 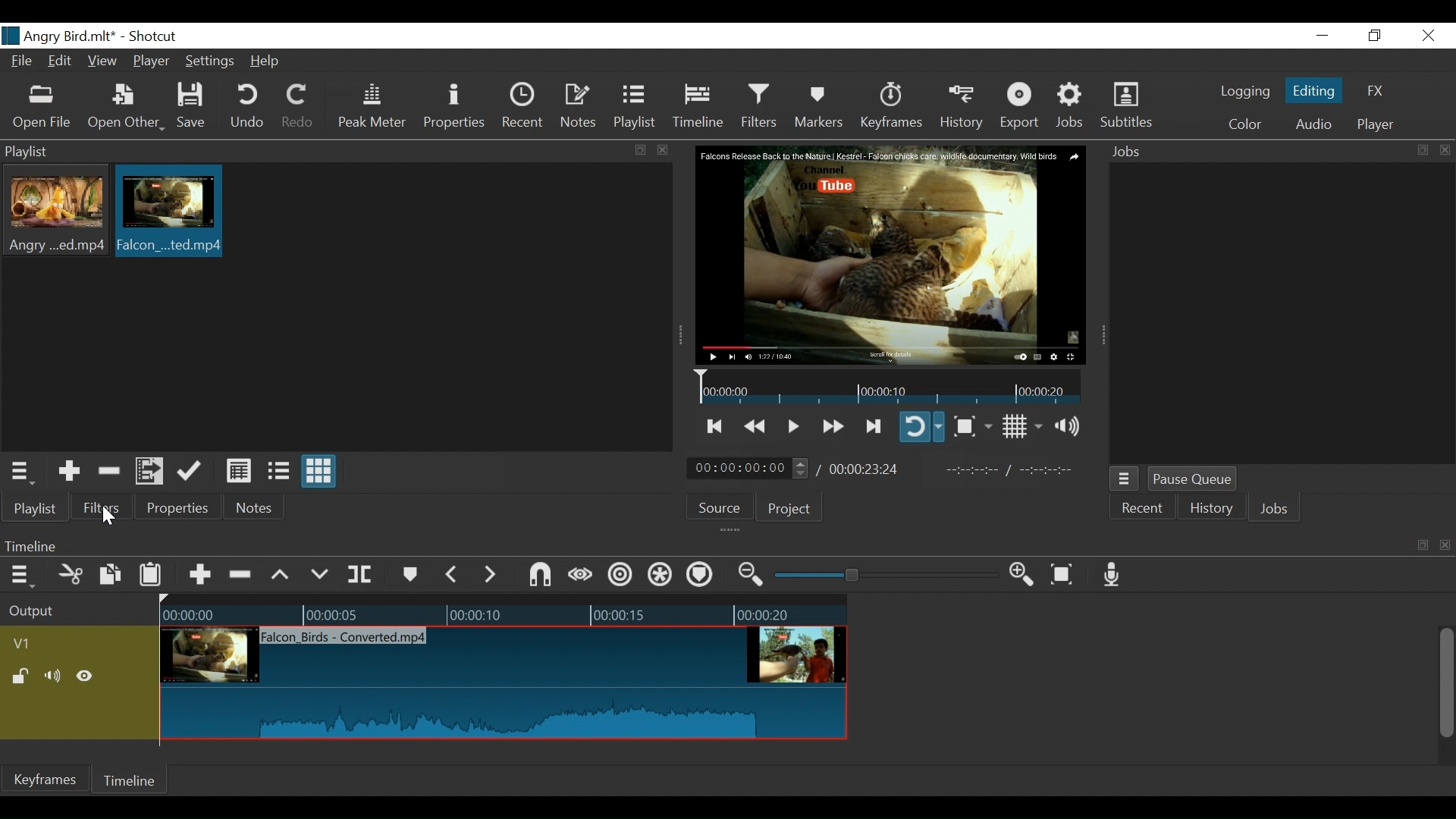 I want to click on View, so click(x=102, y=62).